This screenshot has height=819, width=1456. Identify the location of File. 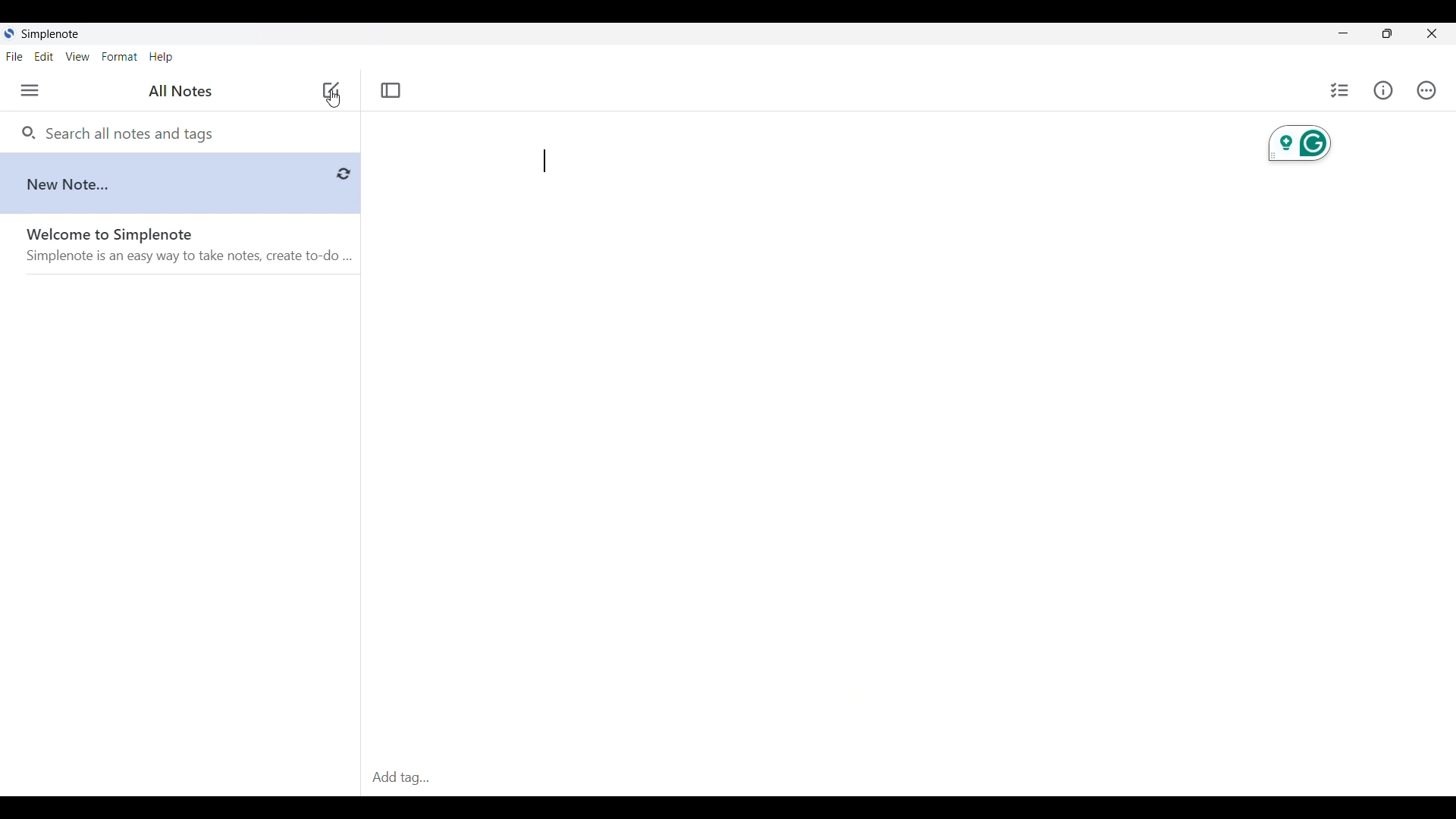
(14, 57).